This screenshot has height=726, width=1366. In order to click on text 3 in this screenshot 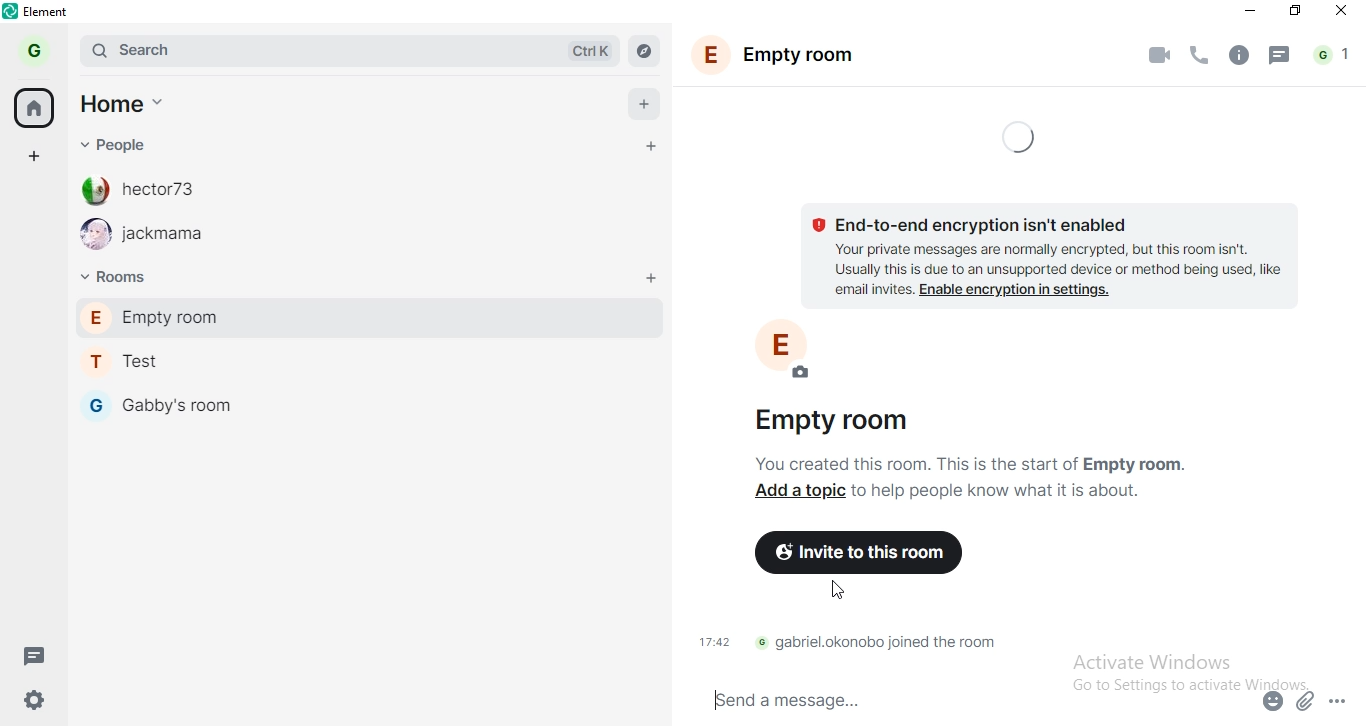, I will do `click(860, 644)`.